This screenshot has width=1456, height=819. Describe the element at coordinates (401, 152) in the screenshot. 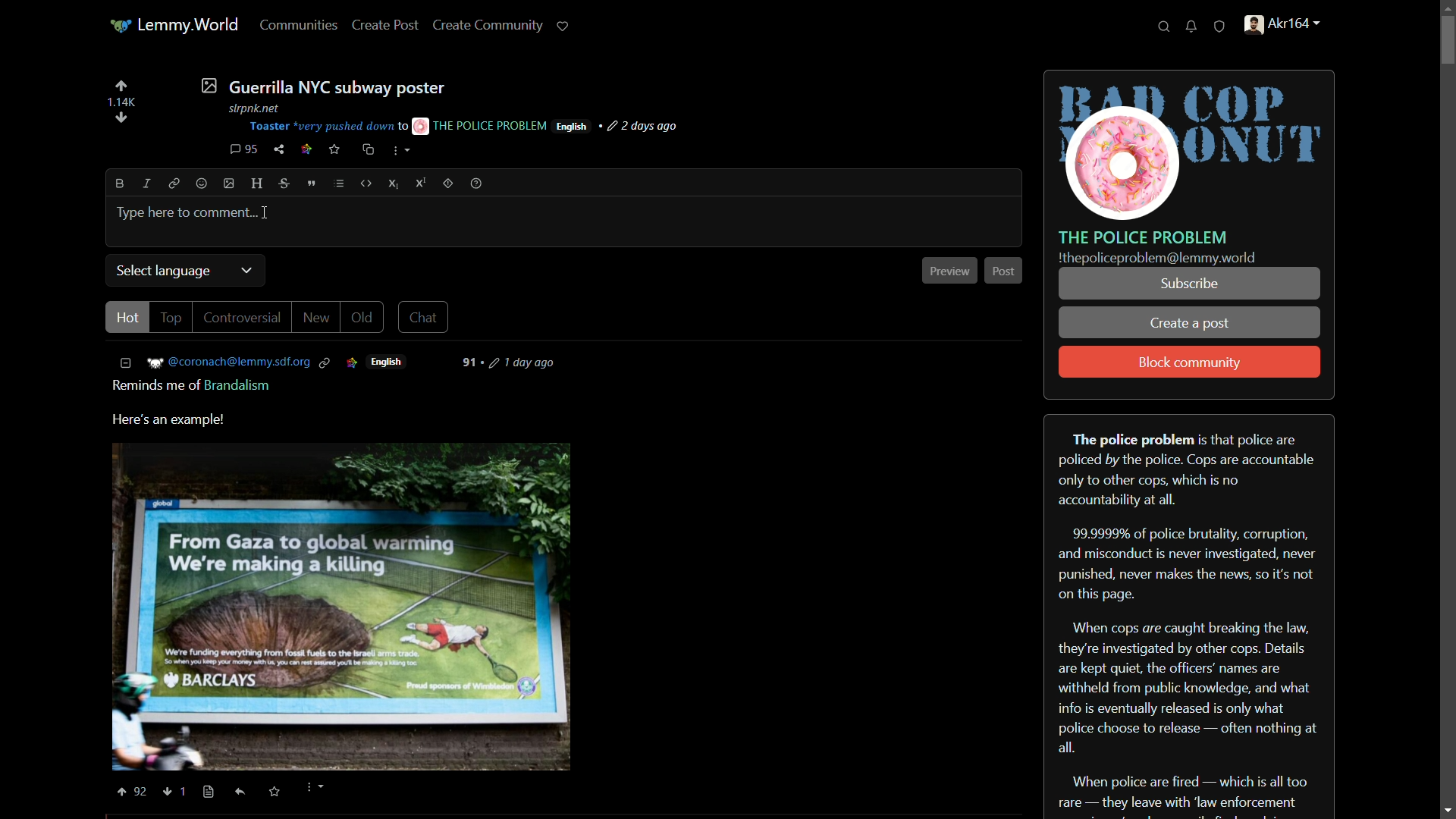

I see `more options` at that location.